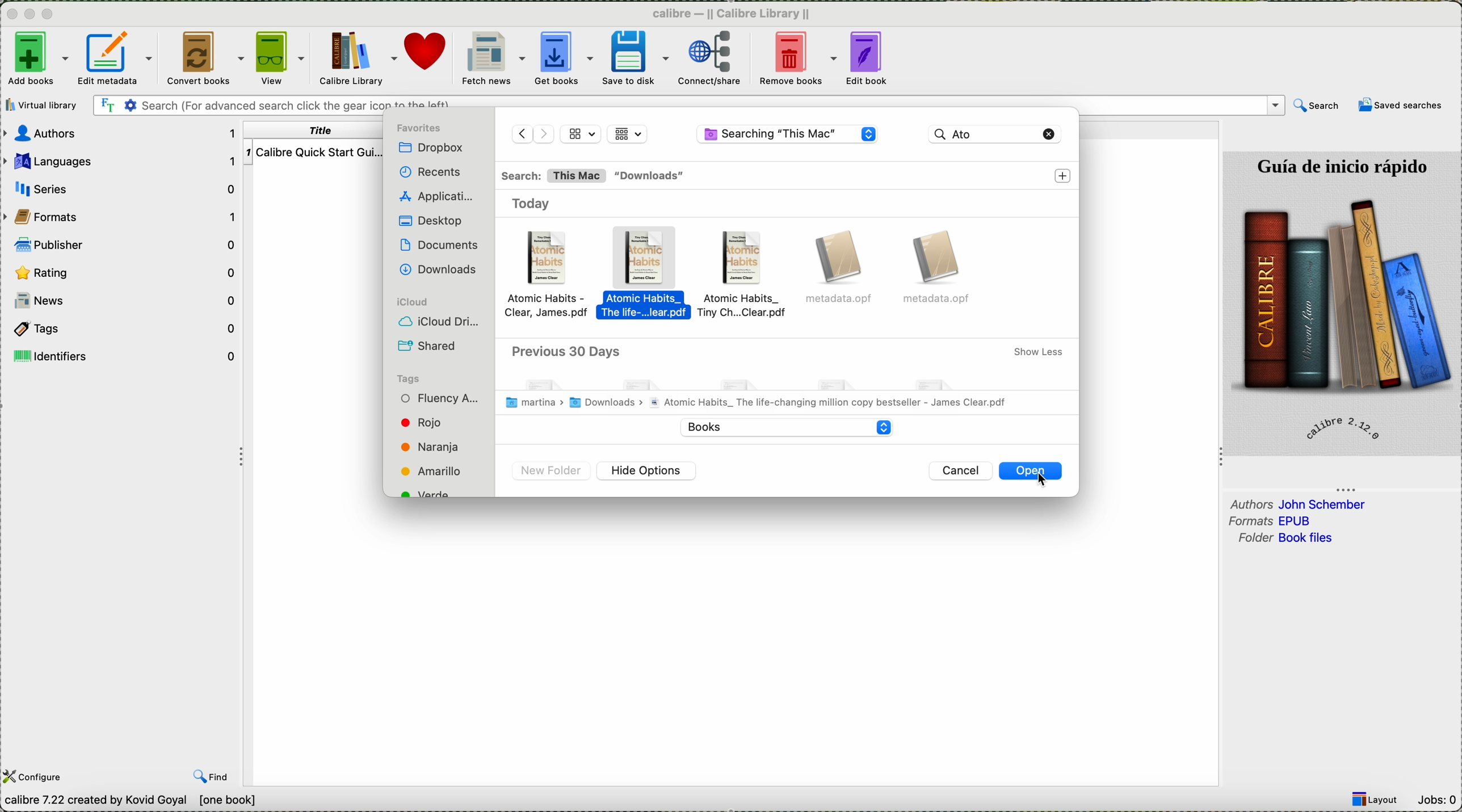 This screenshot has width=1462, height=812. I want to click on close program, so click(11, 14).